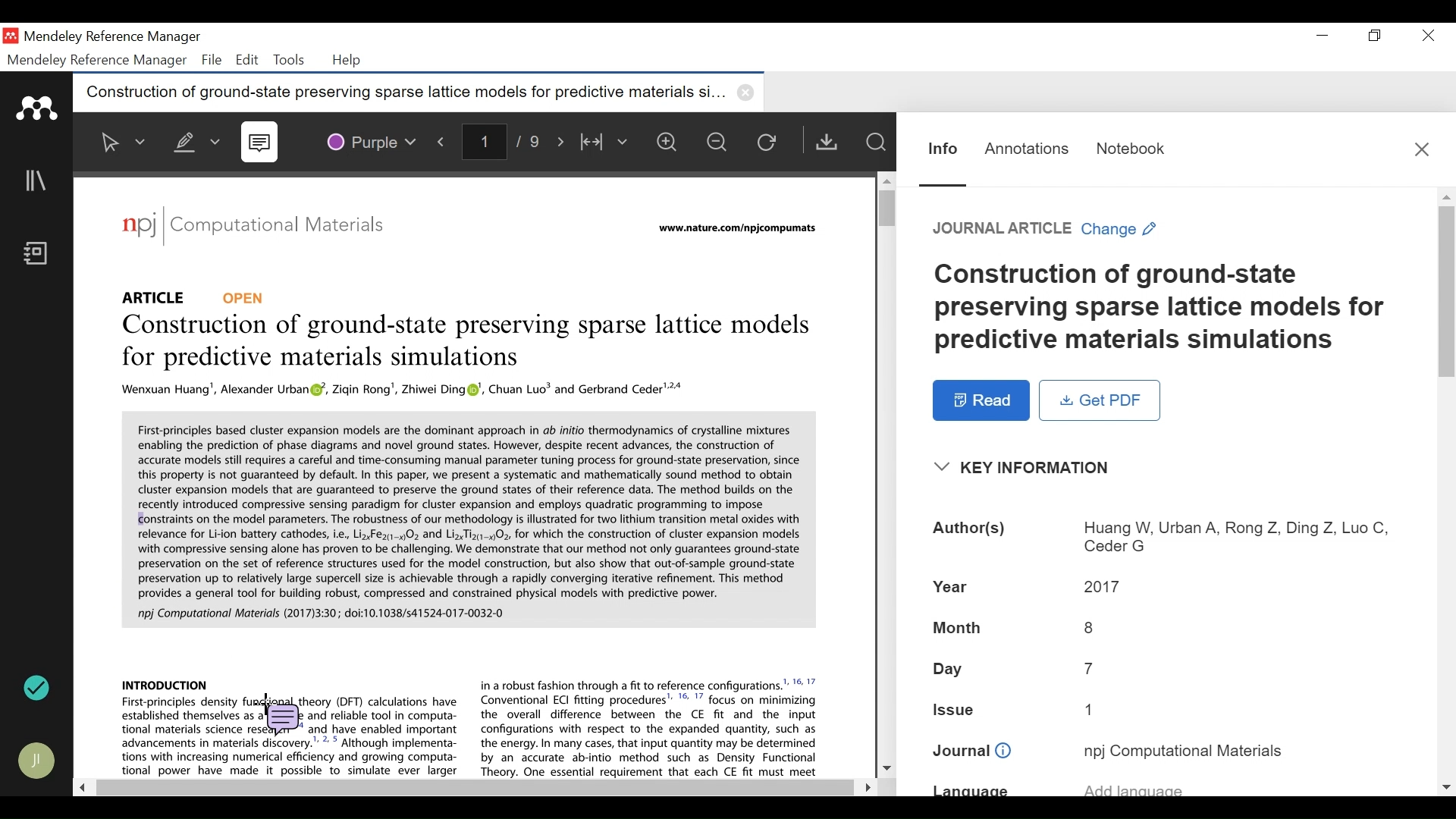 The height and width of the screenshot is (819, 1456). Describe the element at coordinates (462, 343) in the screenshot. I see `Title: Construction of ground-state preserving sparse lattice models for predictive materials simulations` at that location.